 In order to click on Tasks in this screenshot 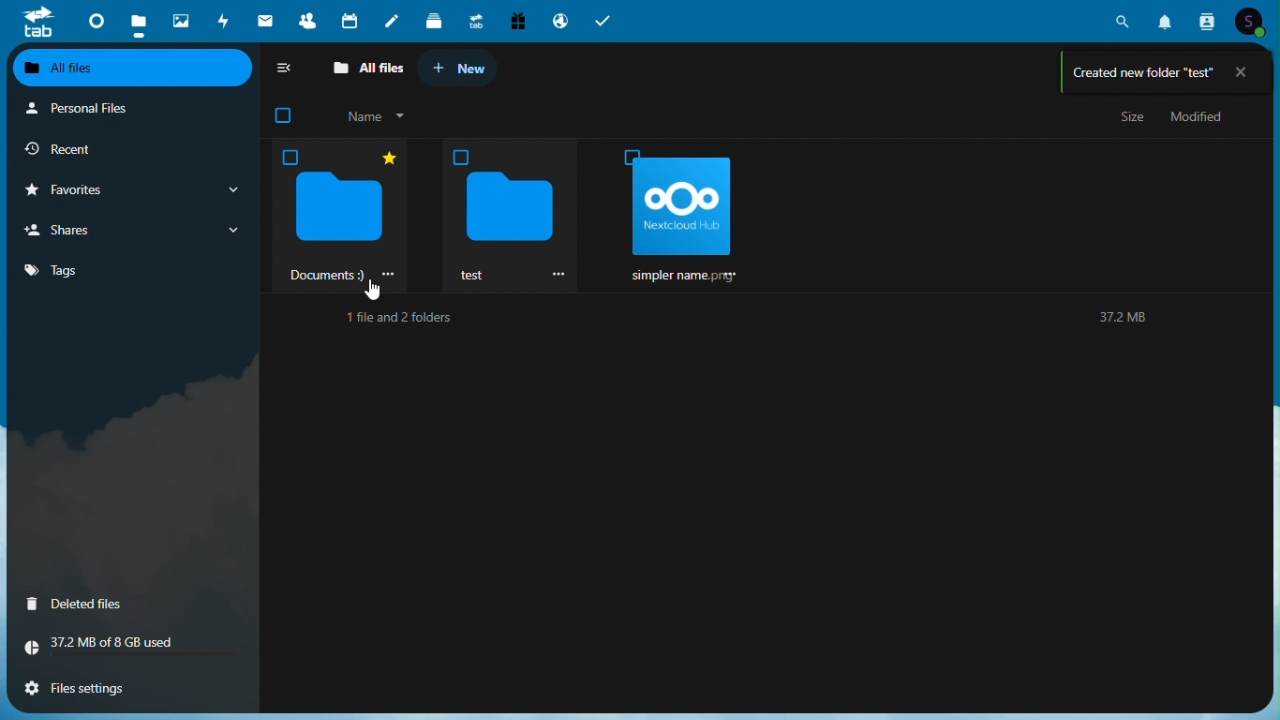, I will do `click(604, 19)`.